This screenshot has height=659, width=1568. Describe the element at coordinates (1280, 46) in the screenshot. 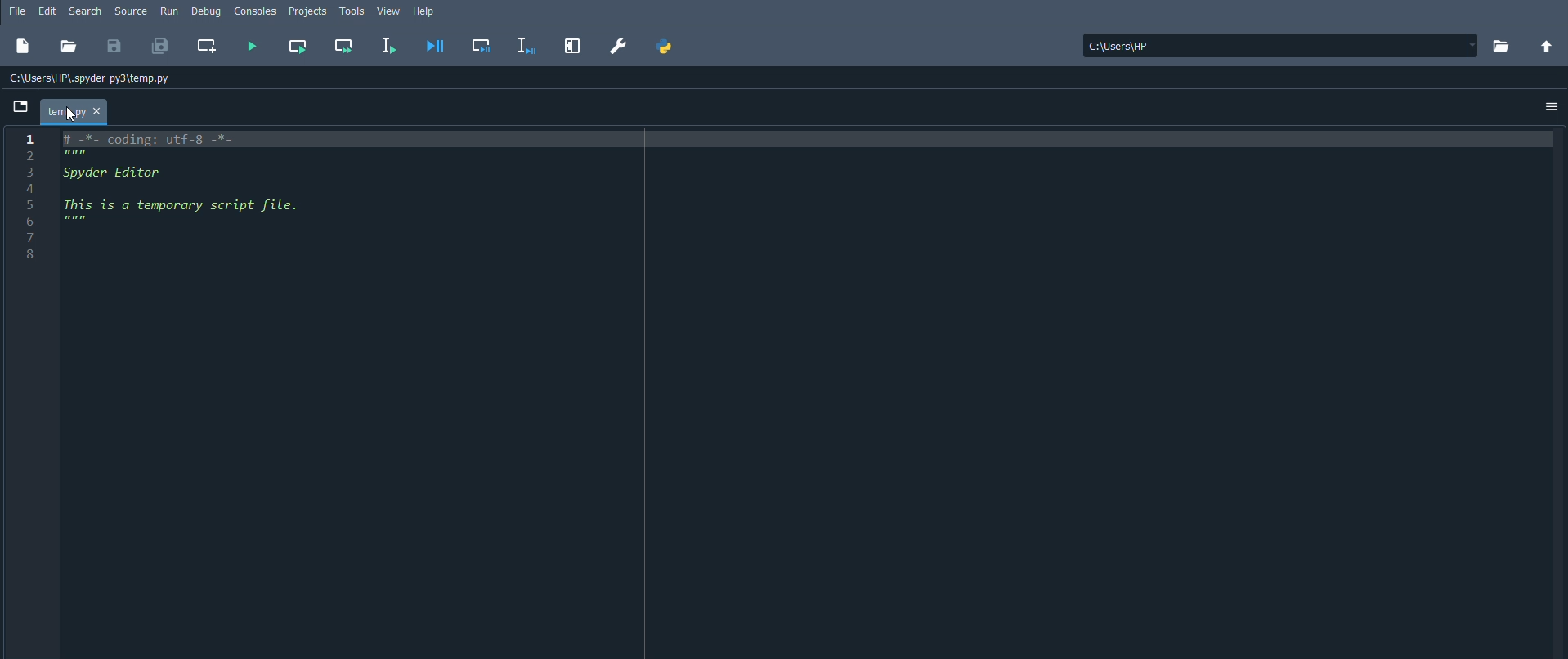

I see `C:\Users\HP` at that location.